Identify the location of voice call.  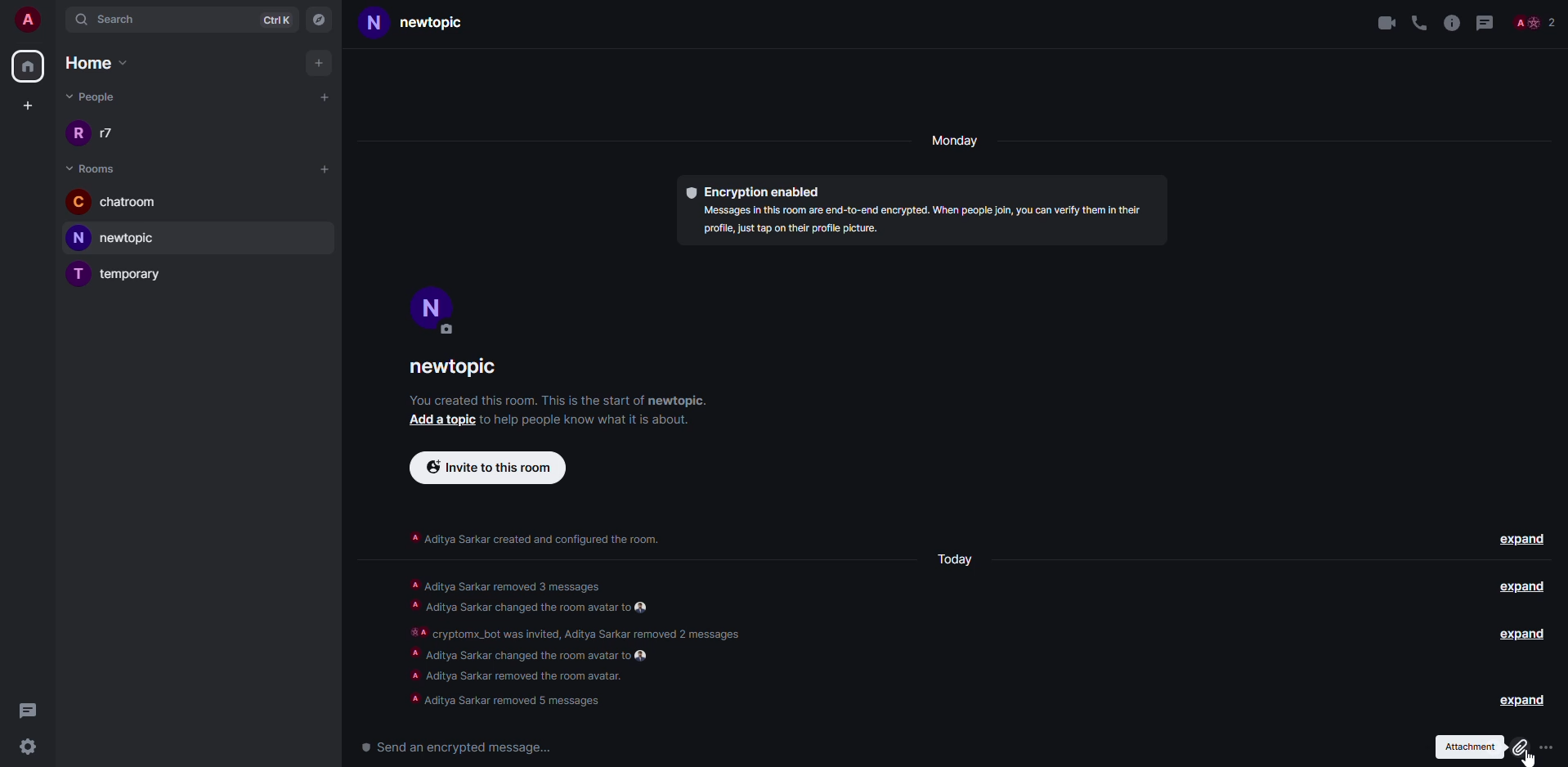
(1419, 22).